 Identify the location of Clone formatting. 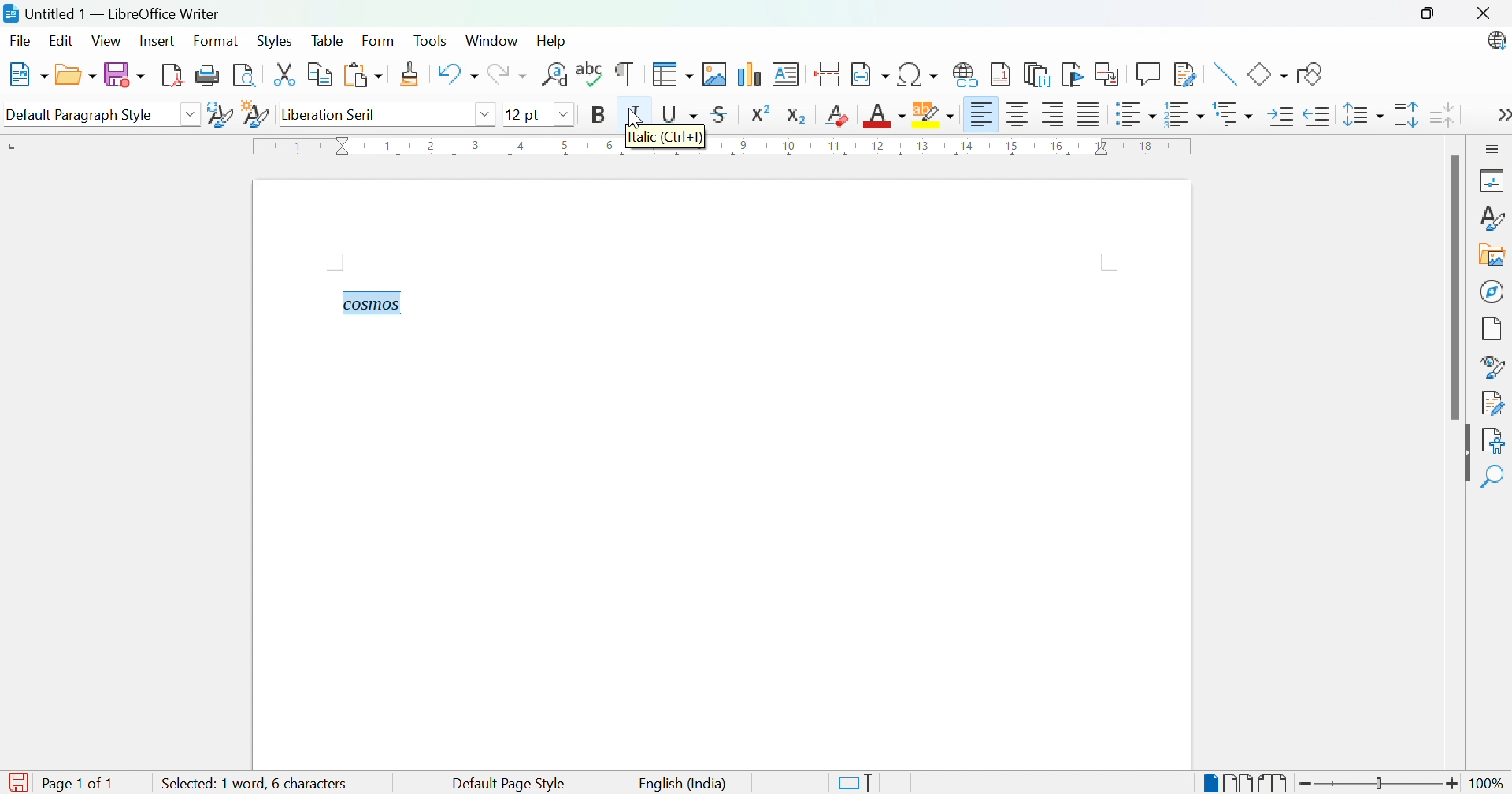
(413, 74).